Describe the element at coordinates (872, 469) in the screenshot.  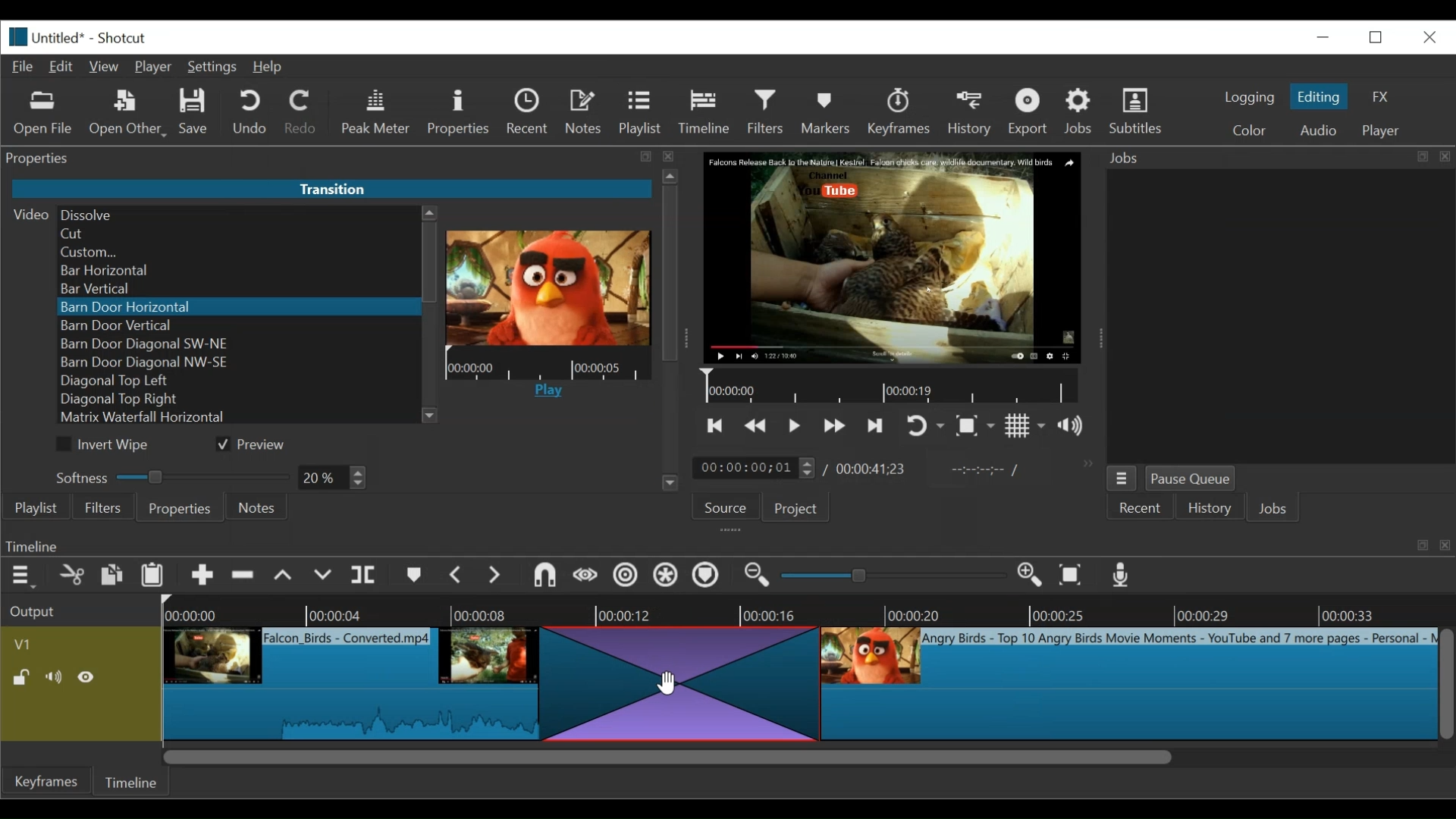
I see `Total Duration` at that location.